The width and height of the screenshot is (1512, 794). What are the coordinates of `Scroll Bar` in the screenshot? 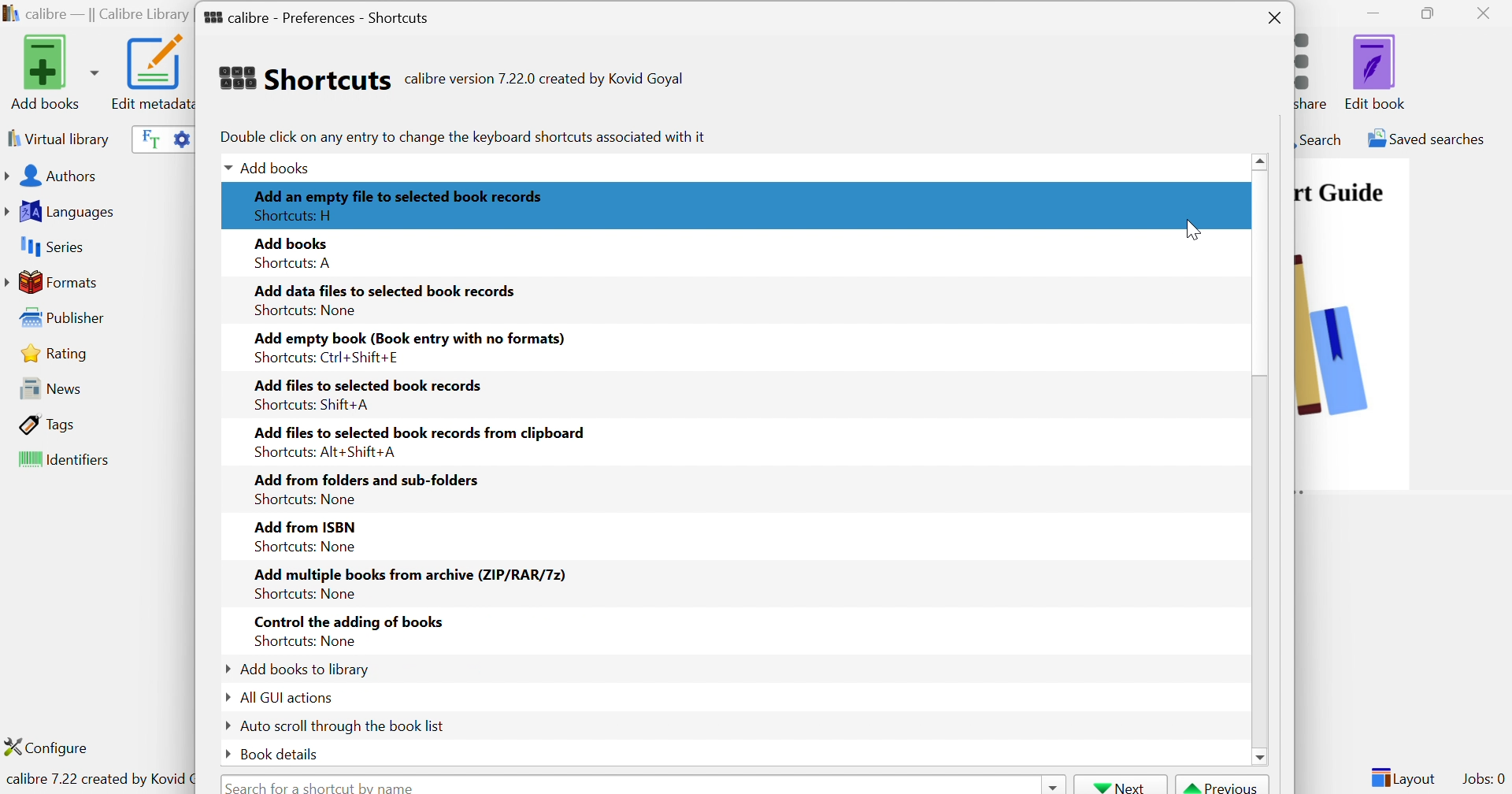 It's located at (1262, 295).